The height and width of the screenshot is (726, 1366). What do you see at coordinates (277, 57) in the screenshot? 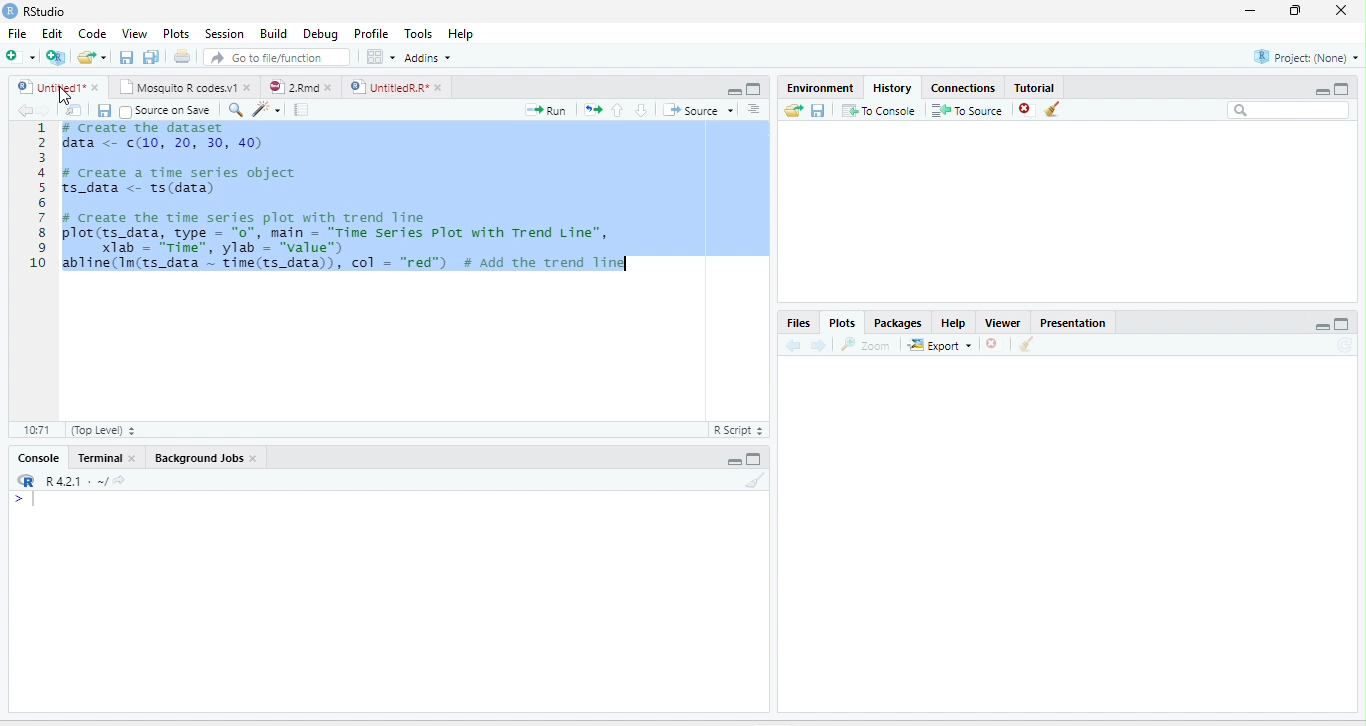
I see `Go to file/function` at bounding box center [277, 57].